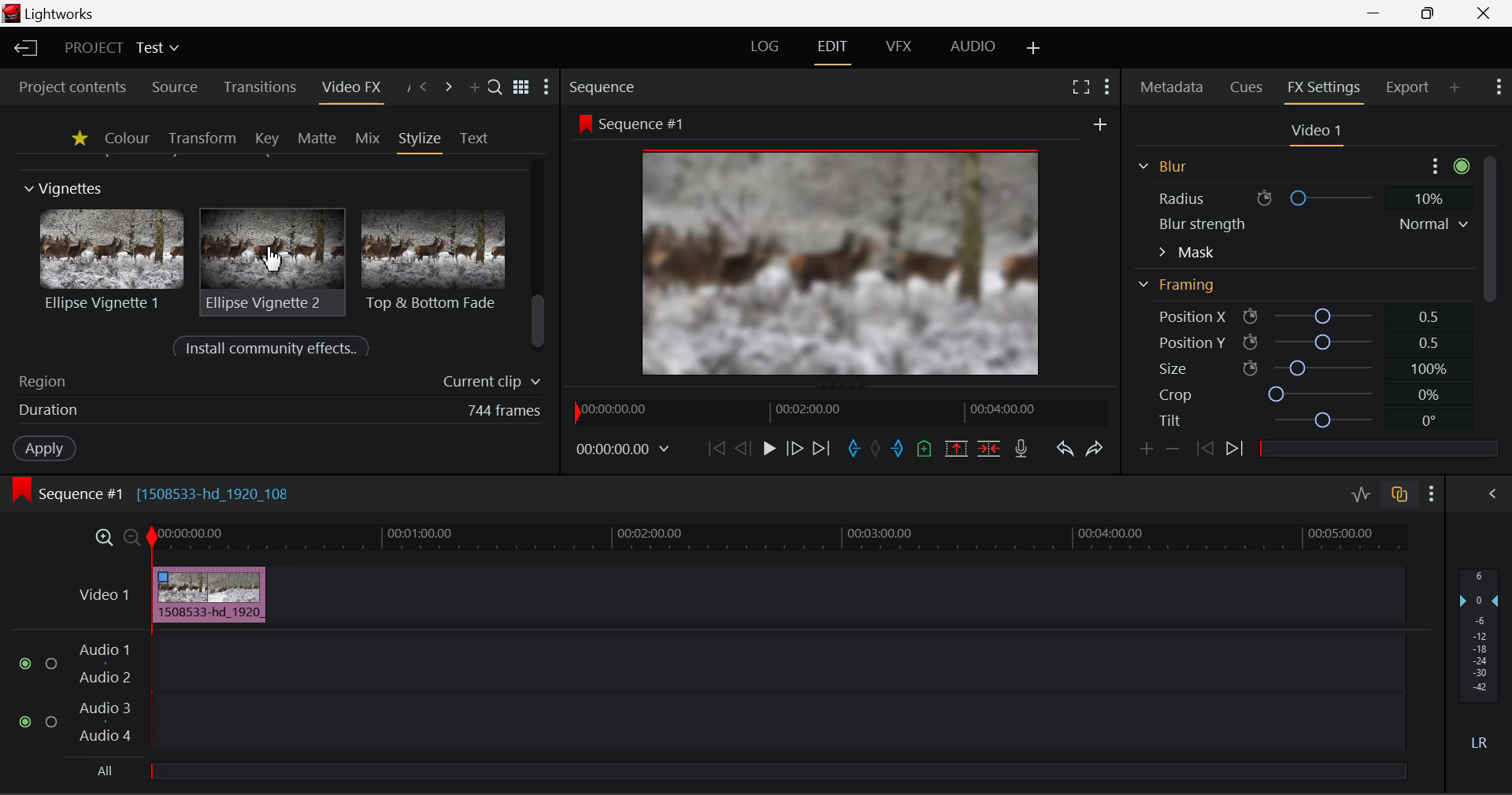 The image size is (1512, 795). Describe the element at coordinates (1300, 196) in the screenshot. I see `Radius ® O 10%` at that location.